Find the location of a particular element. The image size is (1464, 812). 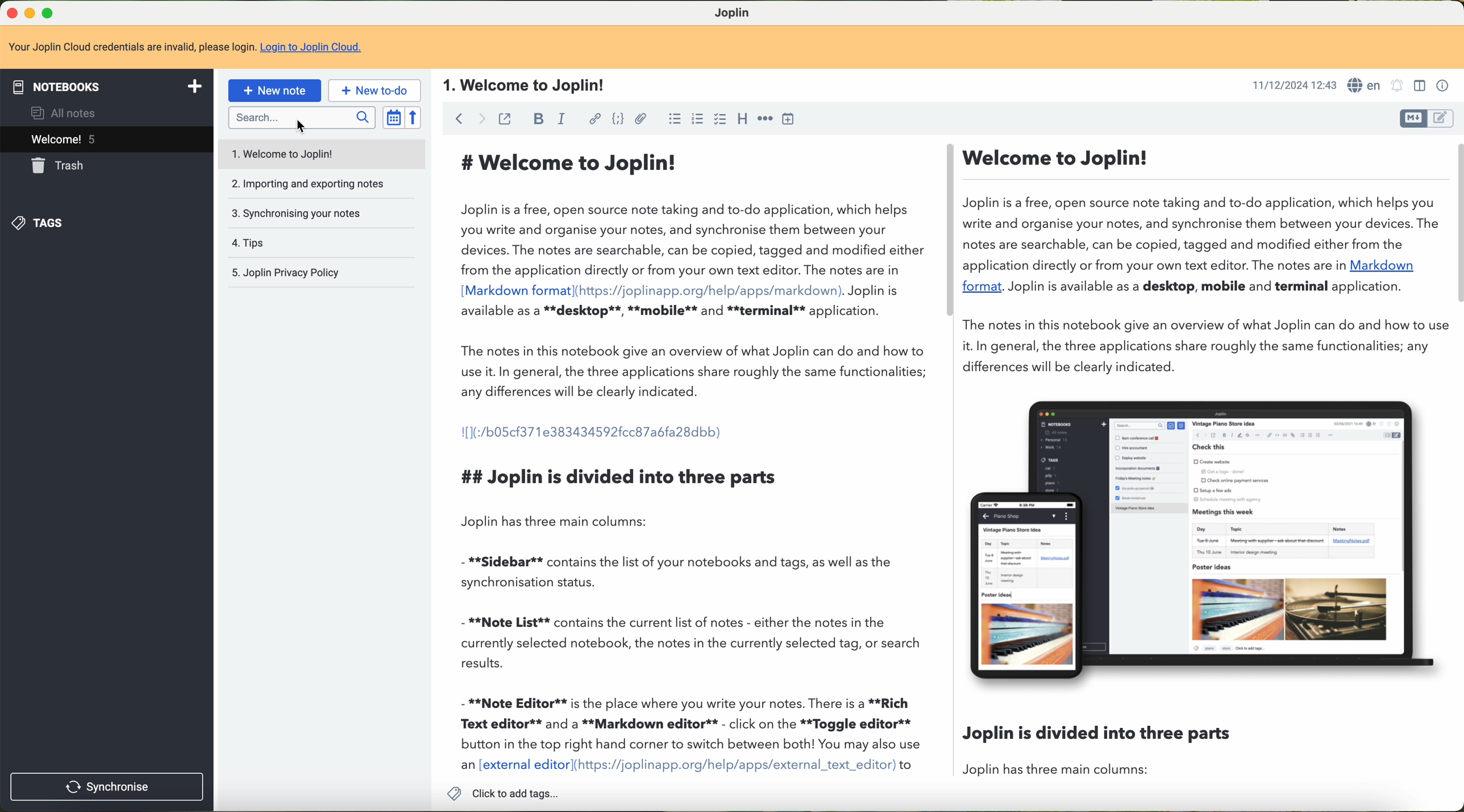

synchronising your notes is located at coordinates (321, 213).